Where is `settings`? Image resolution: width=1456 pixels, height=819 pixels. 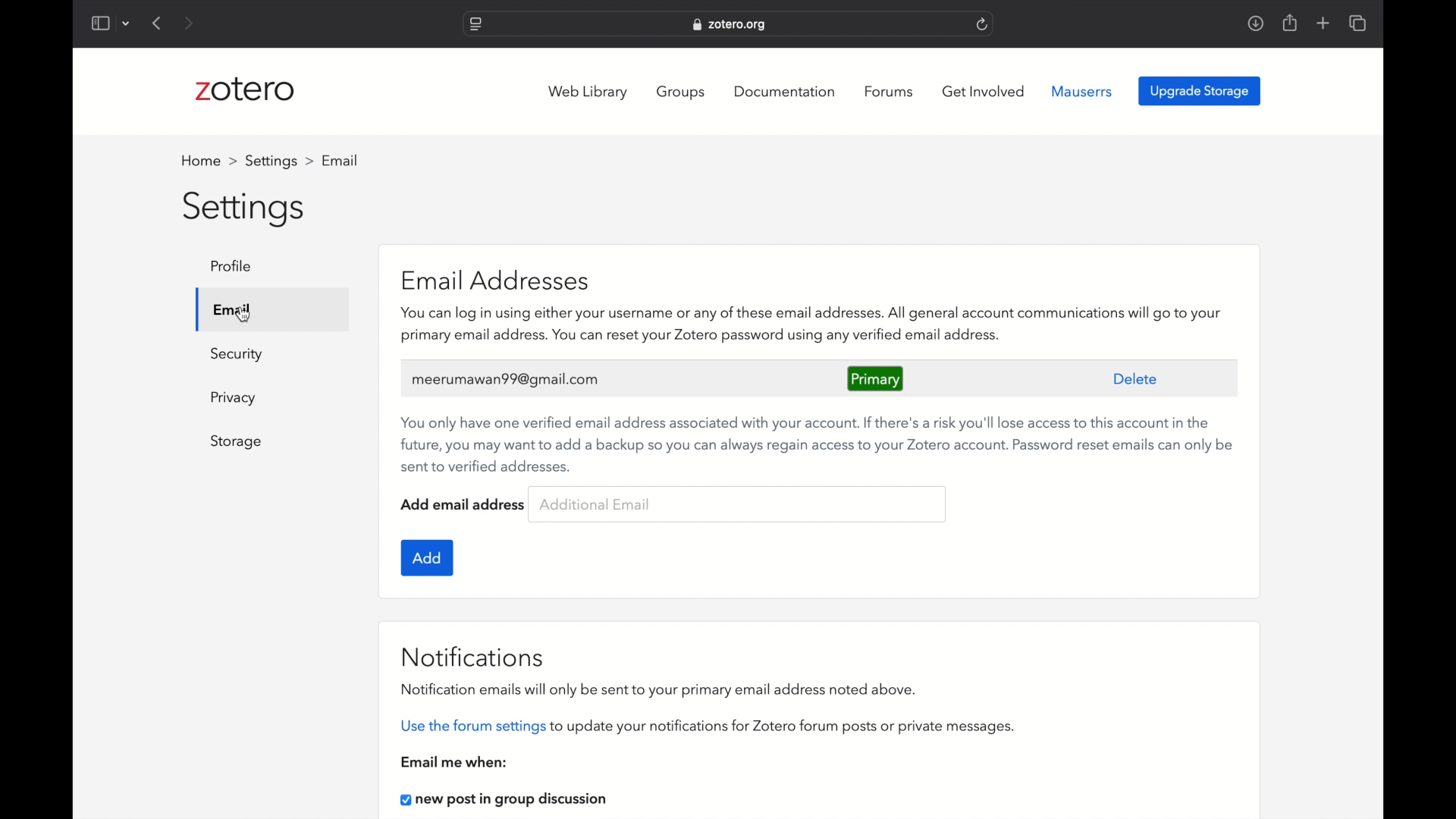
settings is located at coordinates (279, 161).